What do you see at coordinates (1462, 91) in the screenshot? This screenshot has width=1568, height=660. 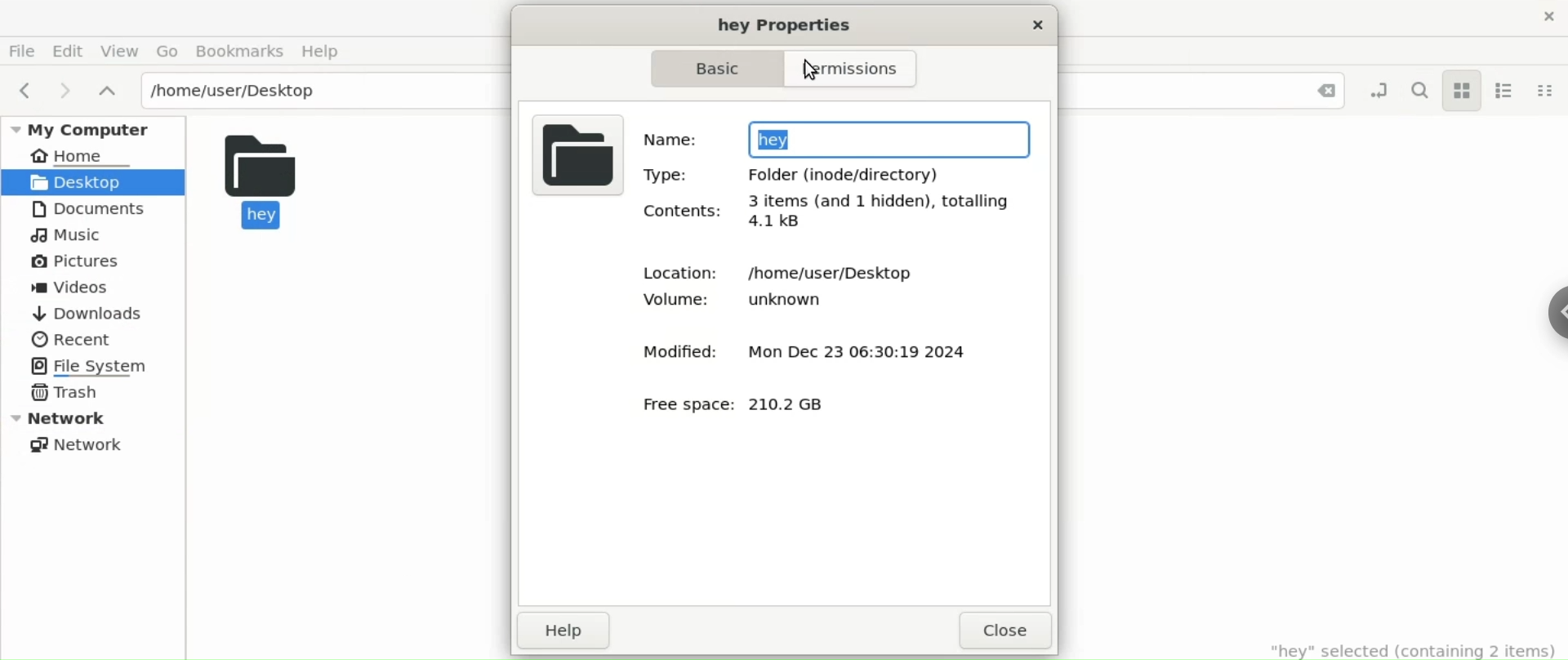 I see `icon view` at bounding box center [1462, 91].